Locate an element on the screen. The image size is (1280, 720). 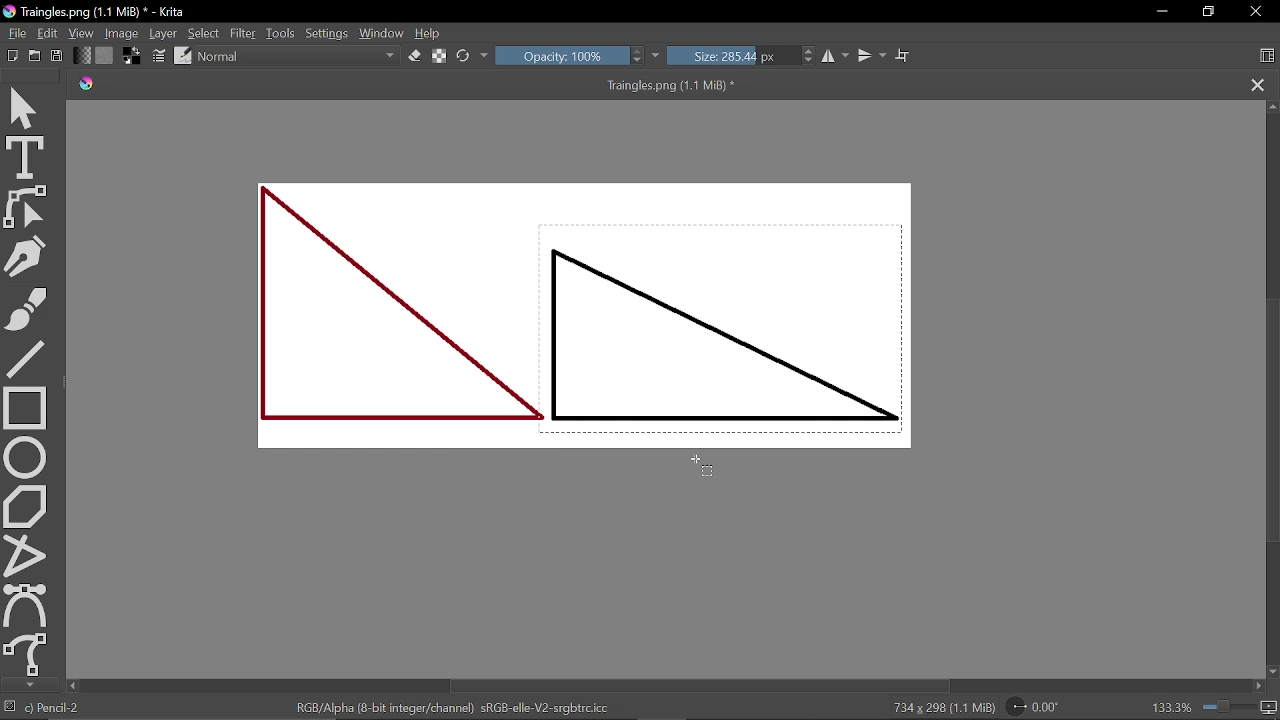
Move down tool is located at coordinates (27, 685).